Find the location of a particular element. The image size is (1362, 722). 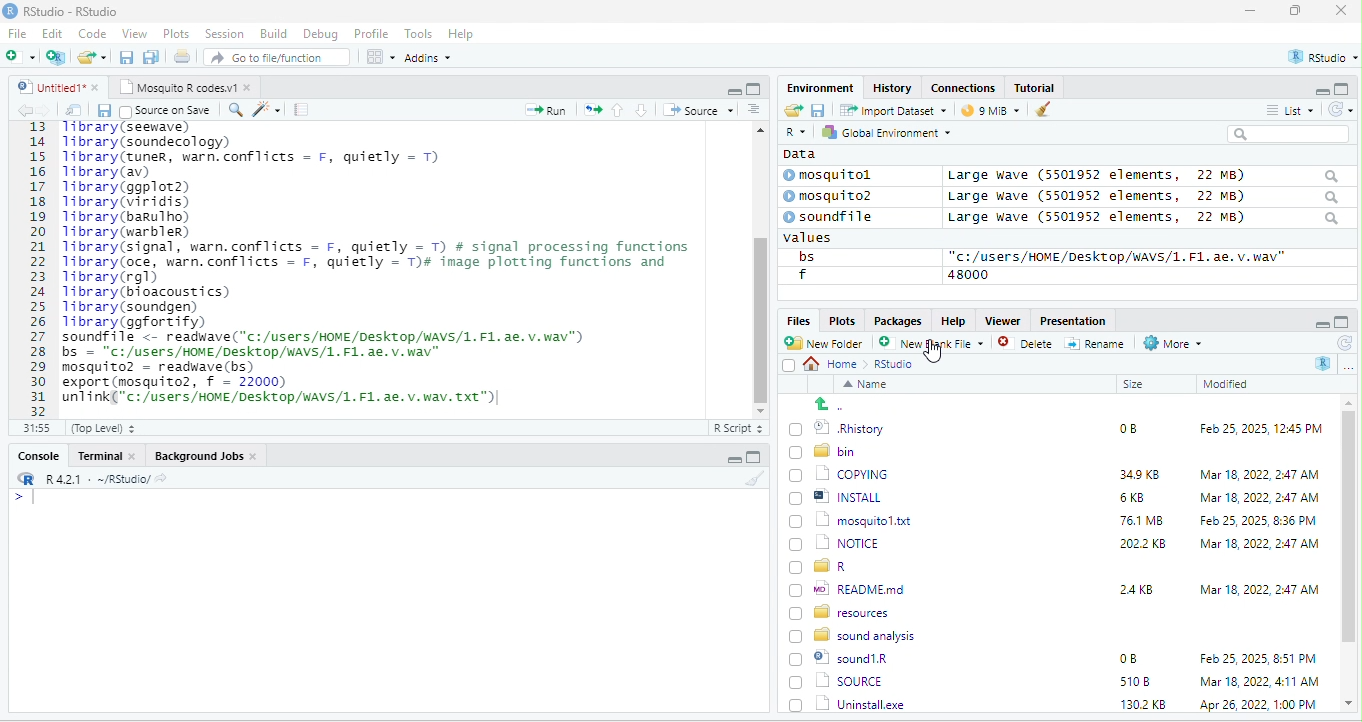

9 mb is located at coordinates (993, 112).